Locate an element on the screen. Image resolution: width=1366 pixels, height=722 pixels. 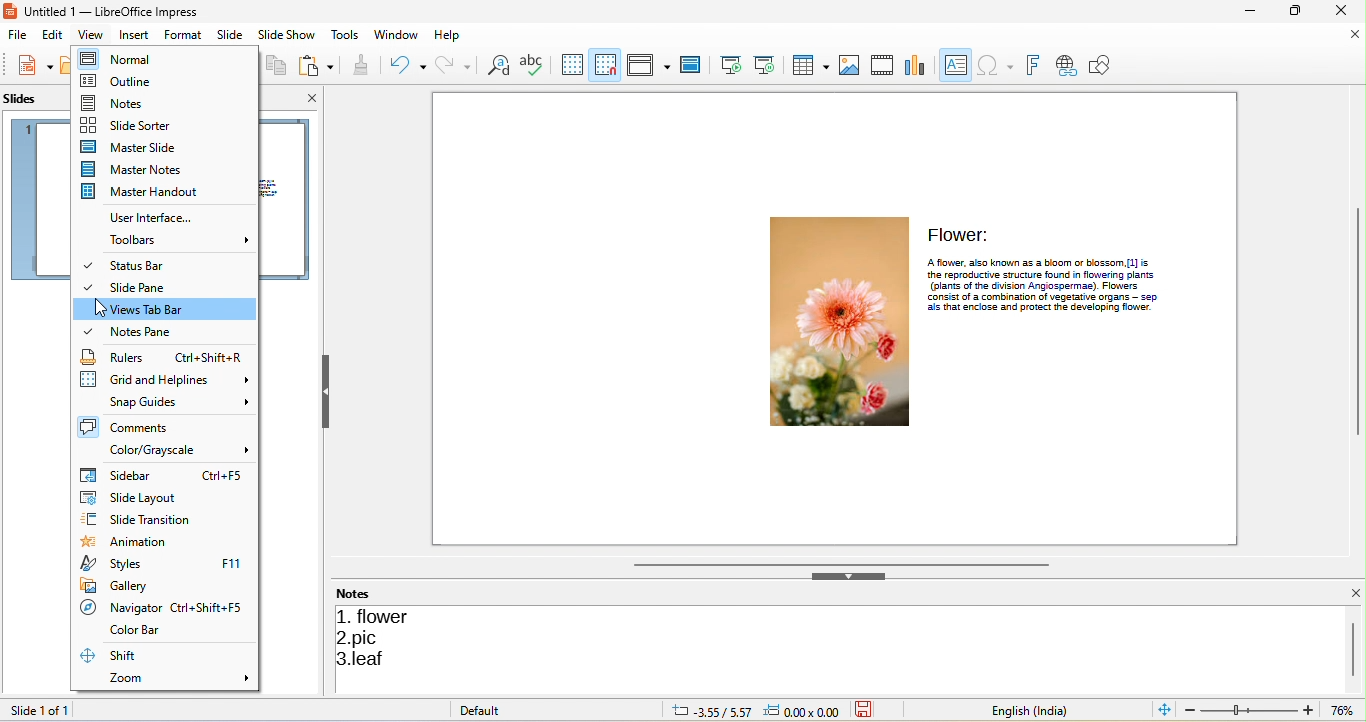
rulers is located at coordinates (163, 356).